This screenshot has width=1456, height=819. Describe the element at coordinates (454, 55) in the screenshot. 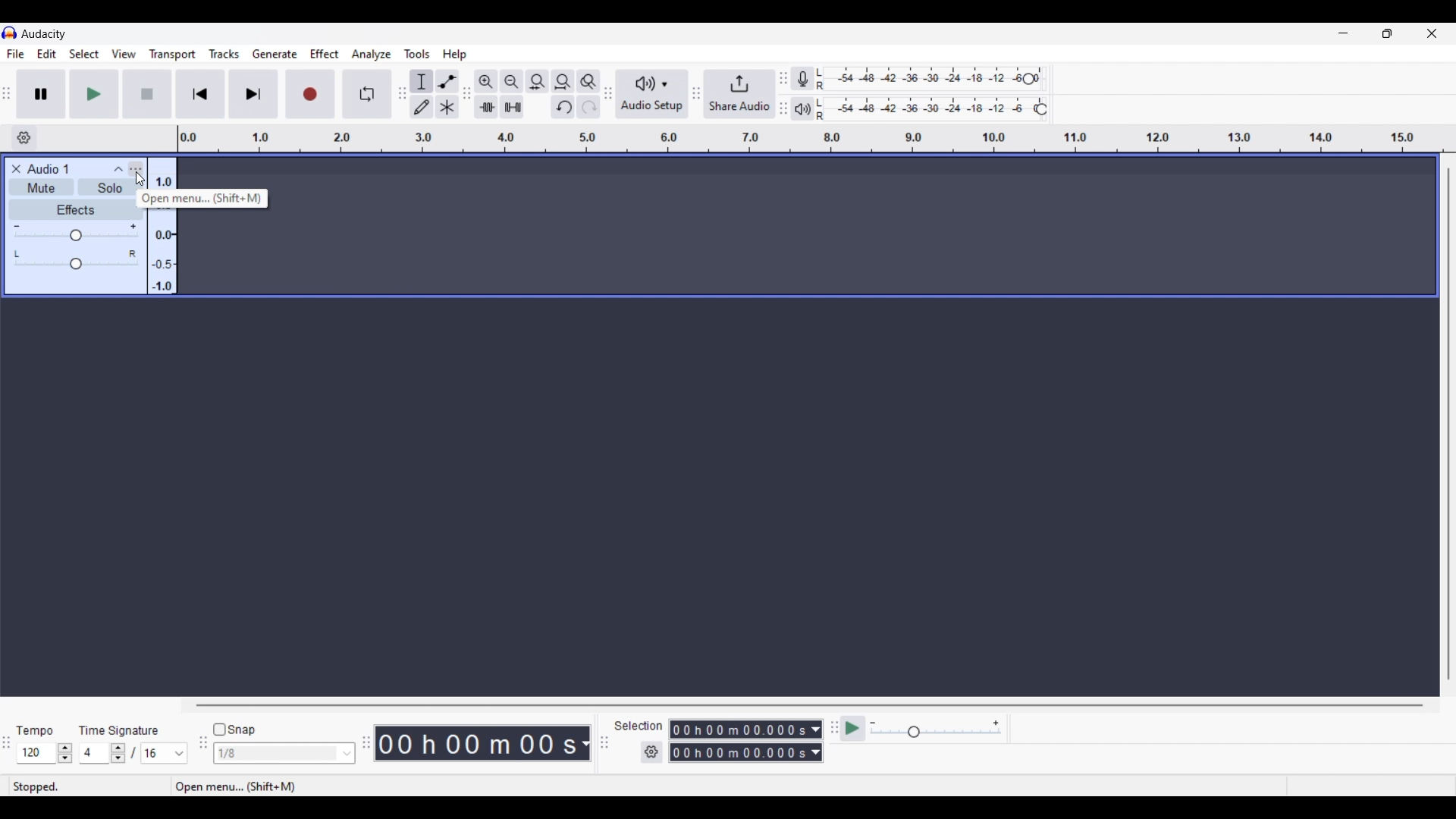

I see `Help menu` at that location.